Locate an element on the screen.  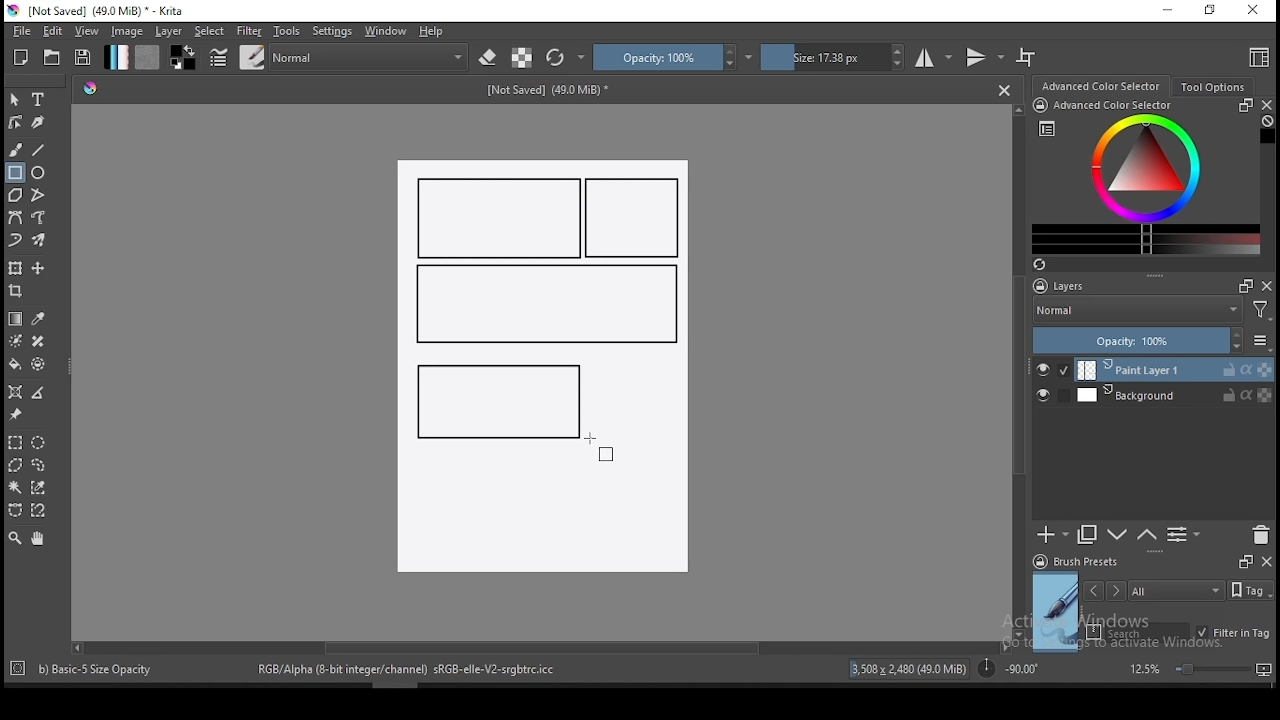
close docker is located at coordinates (1267, 285).